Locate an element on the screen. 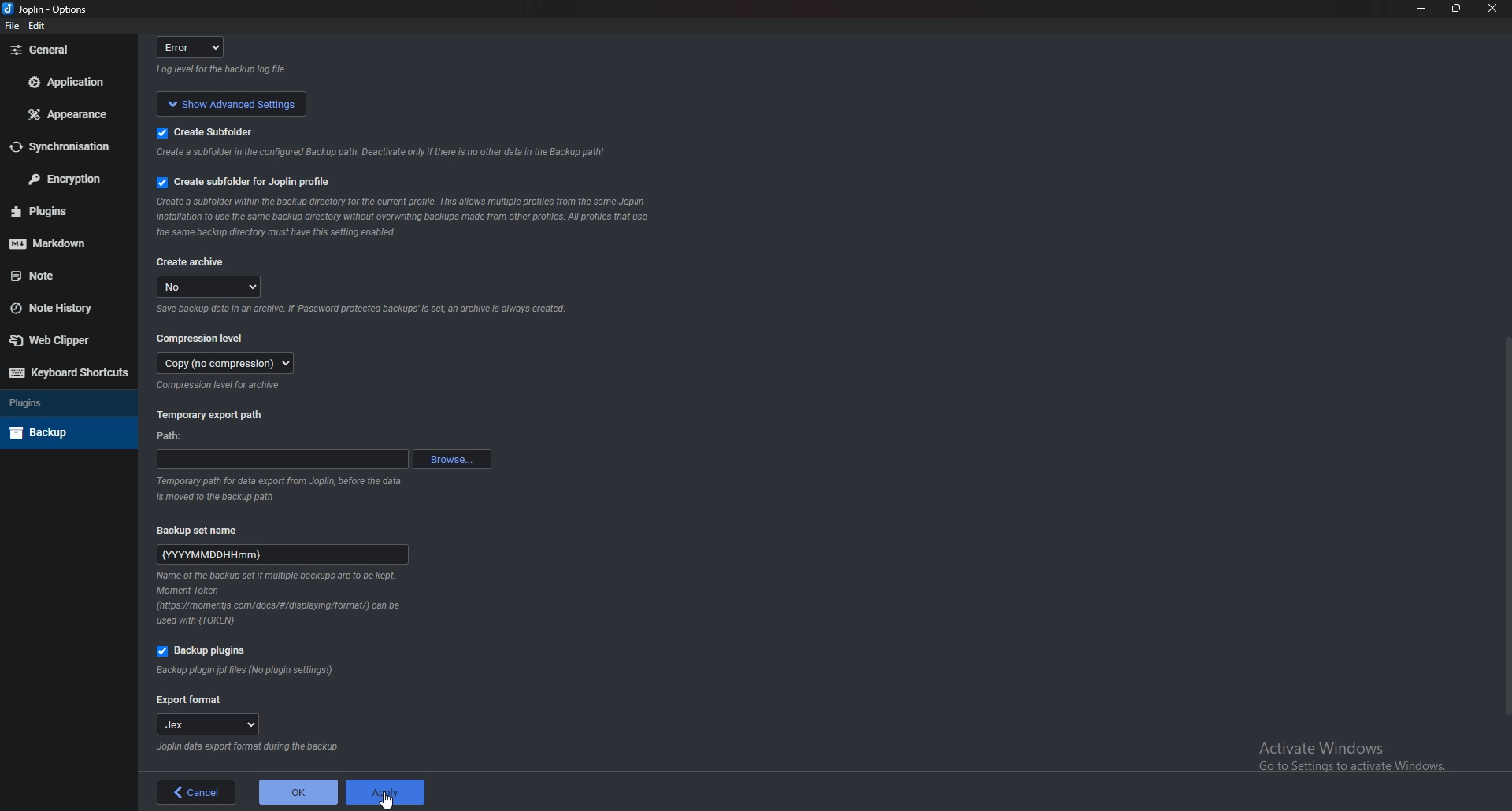  Backup plugins is located at coordinates (207, 651).